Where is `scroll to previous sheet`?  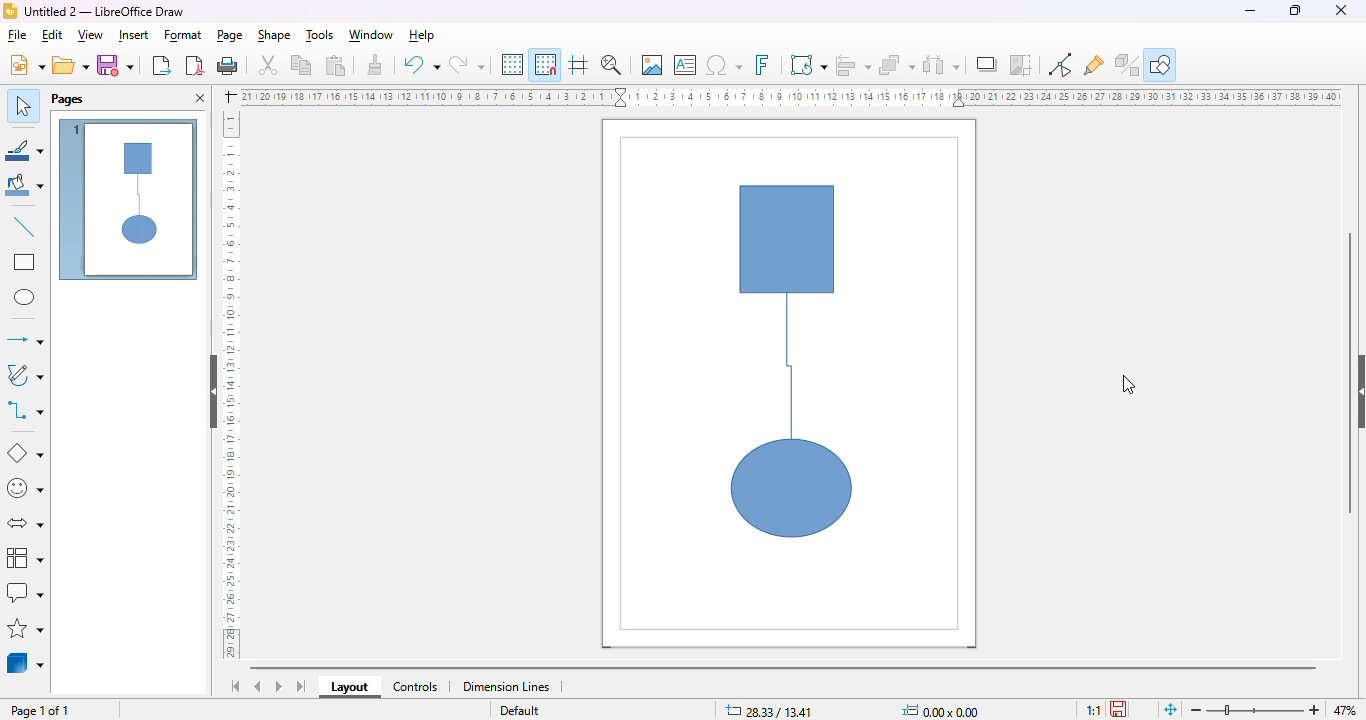
scroll to previous sheet is located at coordinates (258, 686).